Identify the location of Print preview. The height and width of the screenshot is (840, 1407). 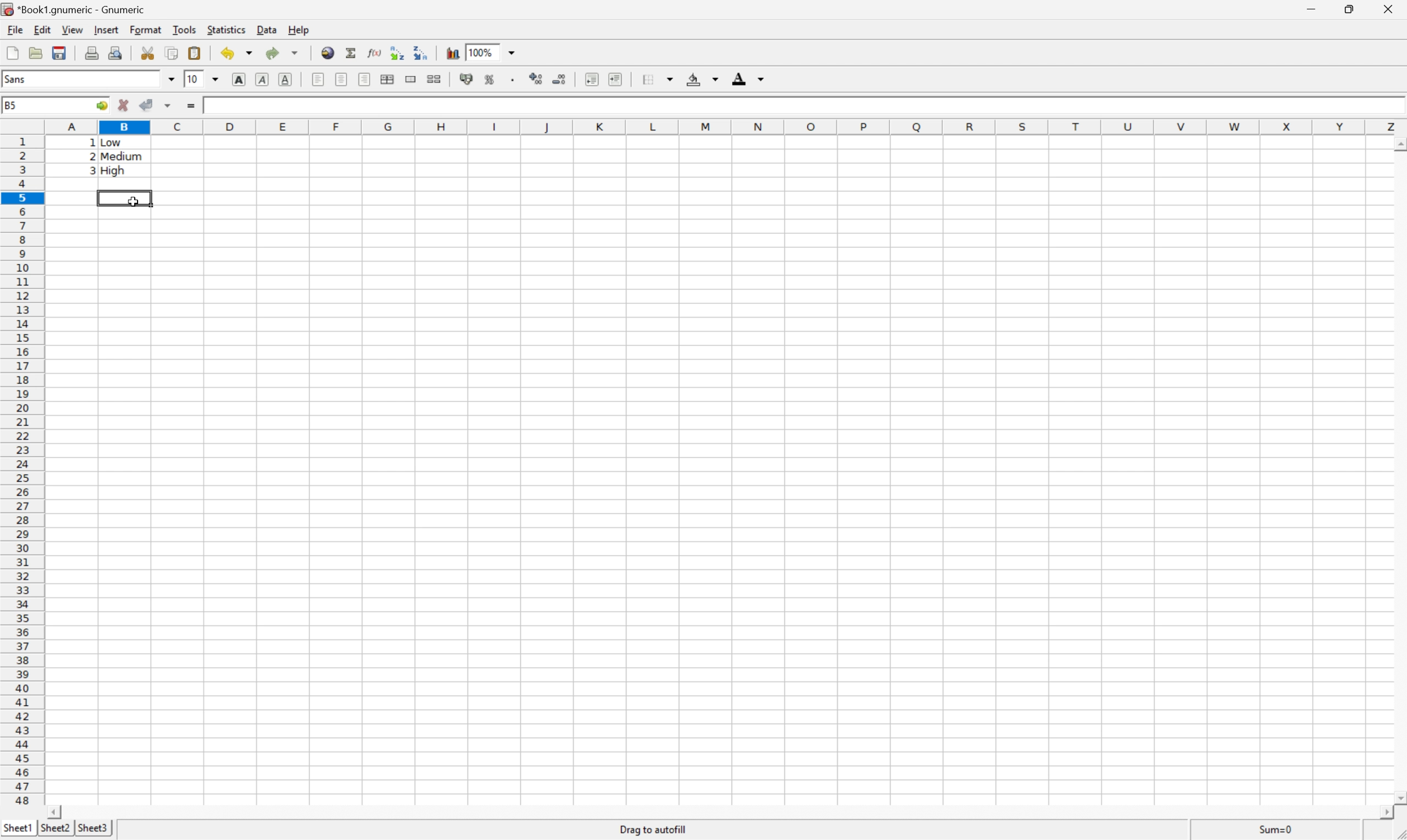
(114, 52).